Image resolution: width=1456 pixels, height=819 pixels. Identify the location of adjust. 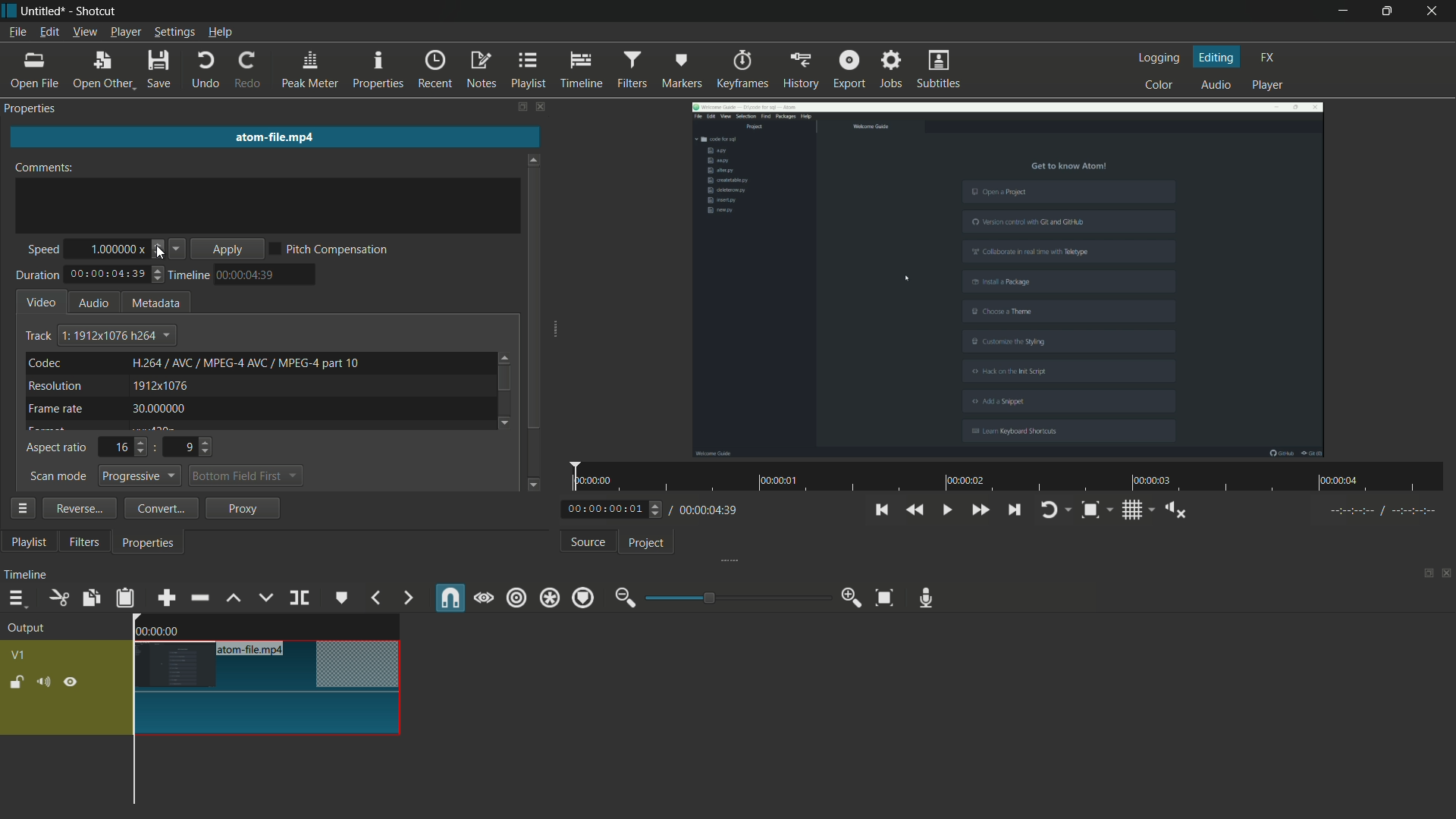
(157, 249).